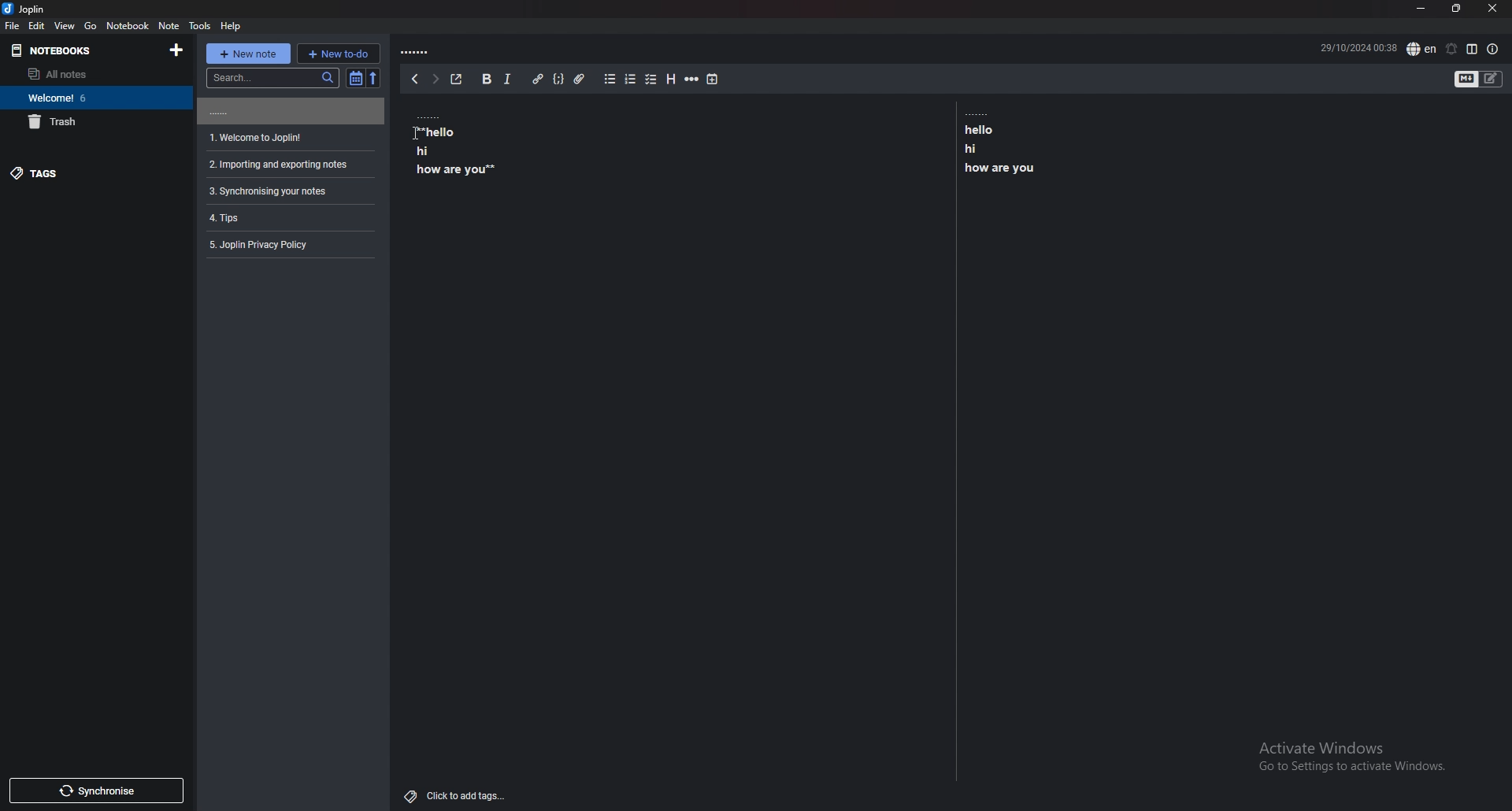  Describe the element at coordinates (83, 50) in the screenshot. I see `notebooks` at that location.